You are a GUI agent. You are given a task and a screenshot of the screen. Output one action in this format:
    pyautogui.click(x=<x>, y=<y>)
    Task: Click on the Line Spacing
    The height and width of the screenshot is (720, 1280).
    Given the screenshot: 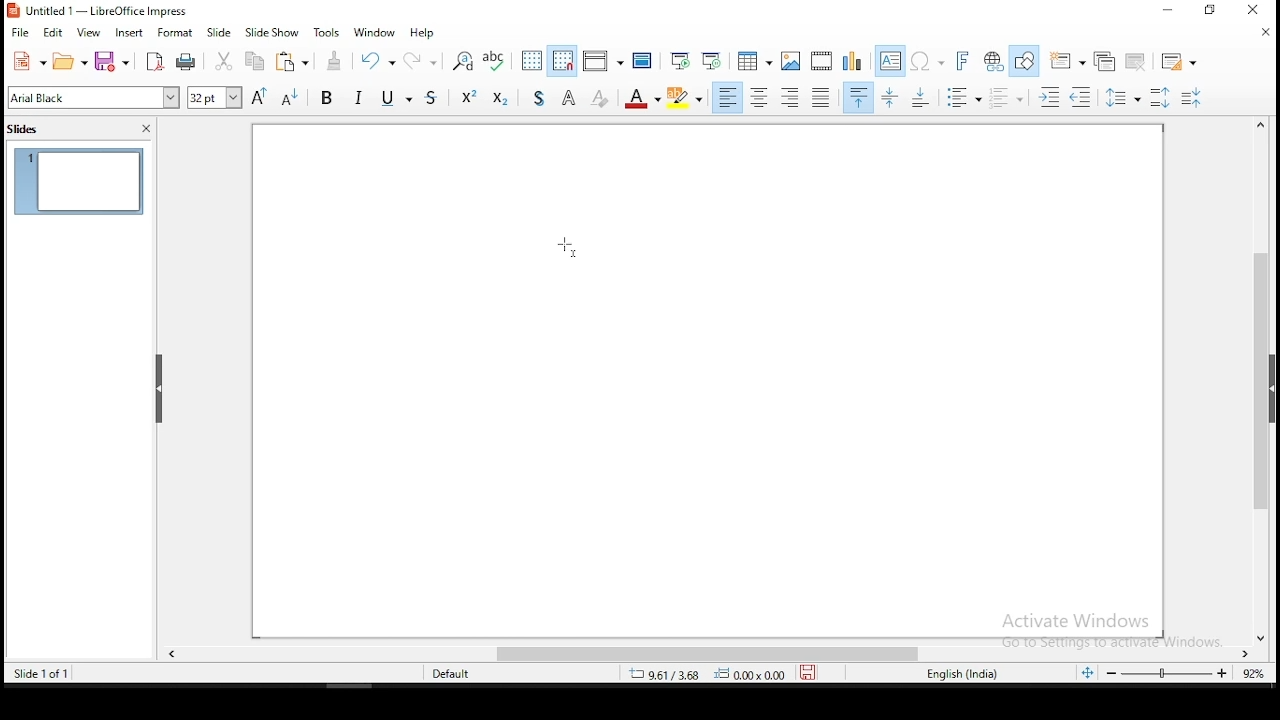 What is the action you would take?
    pyautogui.click(x=1124, y=97)
    